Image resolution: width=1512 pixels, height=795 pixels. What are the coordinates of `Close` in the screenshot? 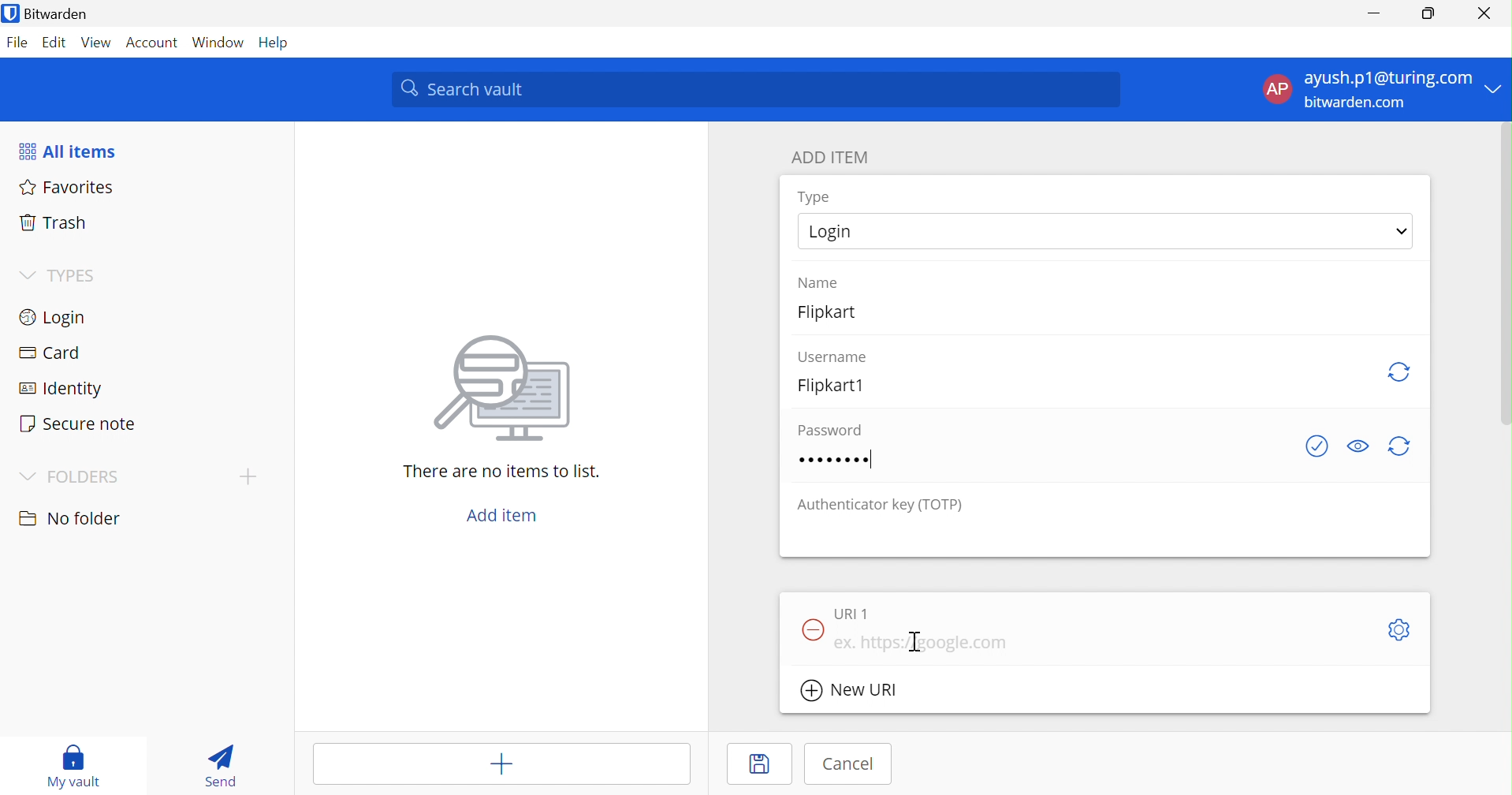 It's located at (1485, 13).